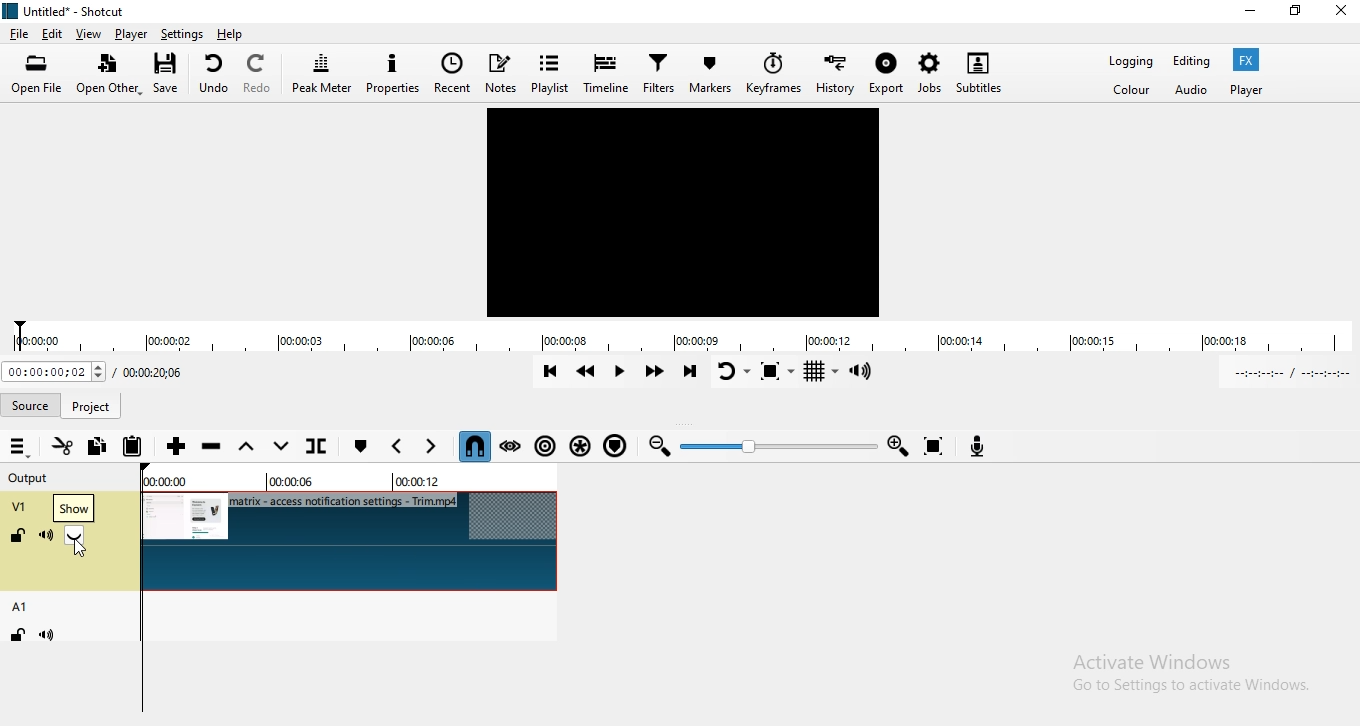  Describe the element at coordinates (455, 74) in the screenshot. I see `Recent` at that location.